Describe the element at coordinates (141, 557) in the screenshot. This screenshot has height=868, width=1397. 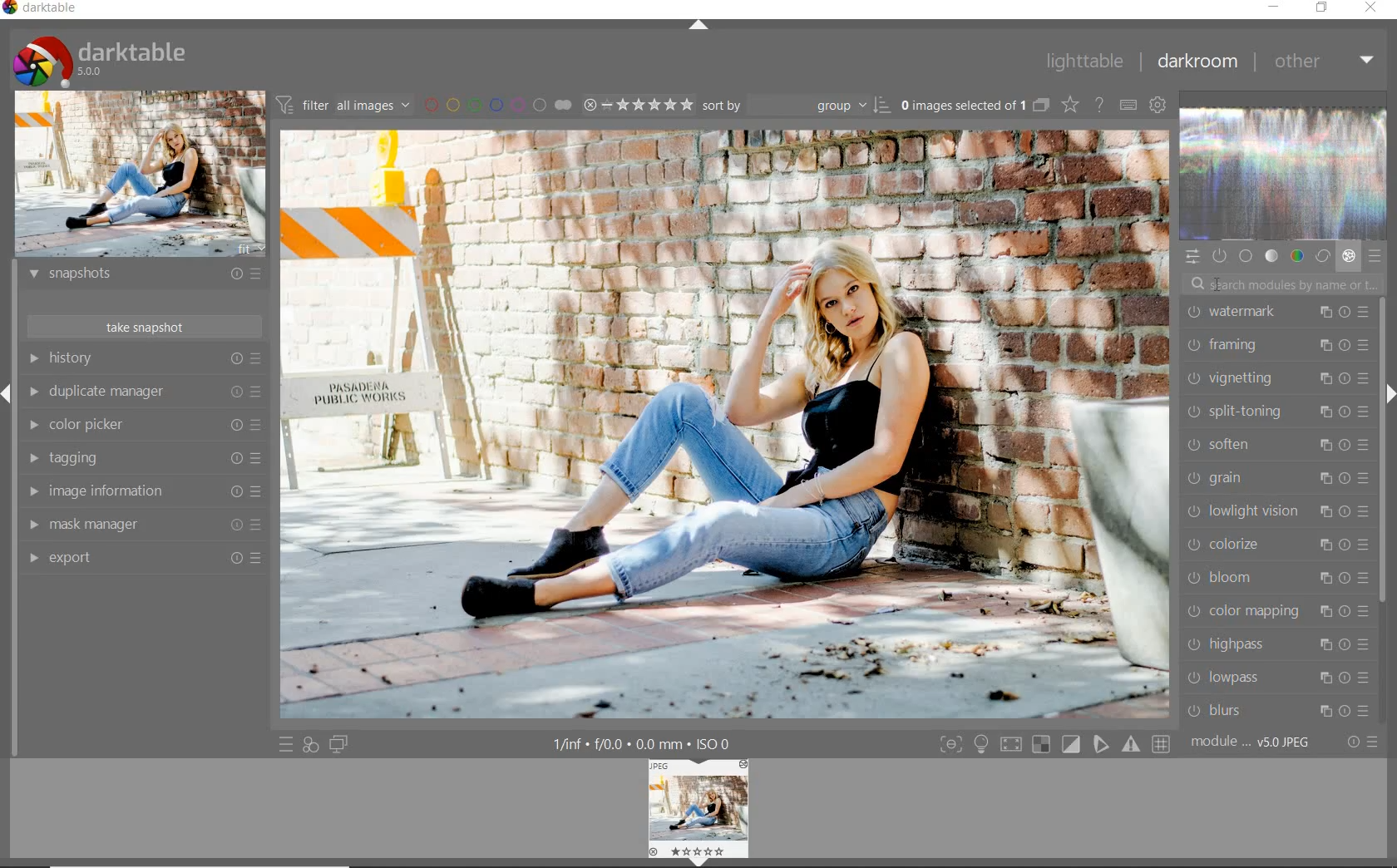
I see `export` at that location.